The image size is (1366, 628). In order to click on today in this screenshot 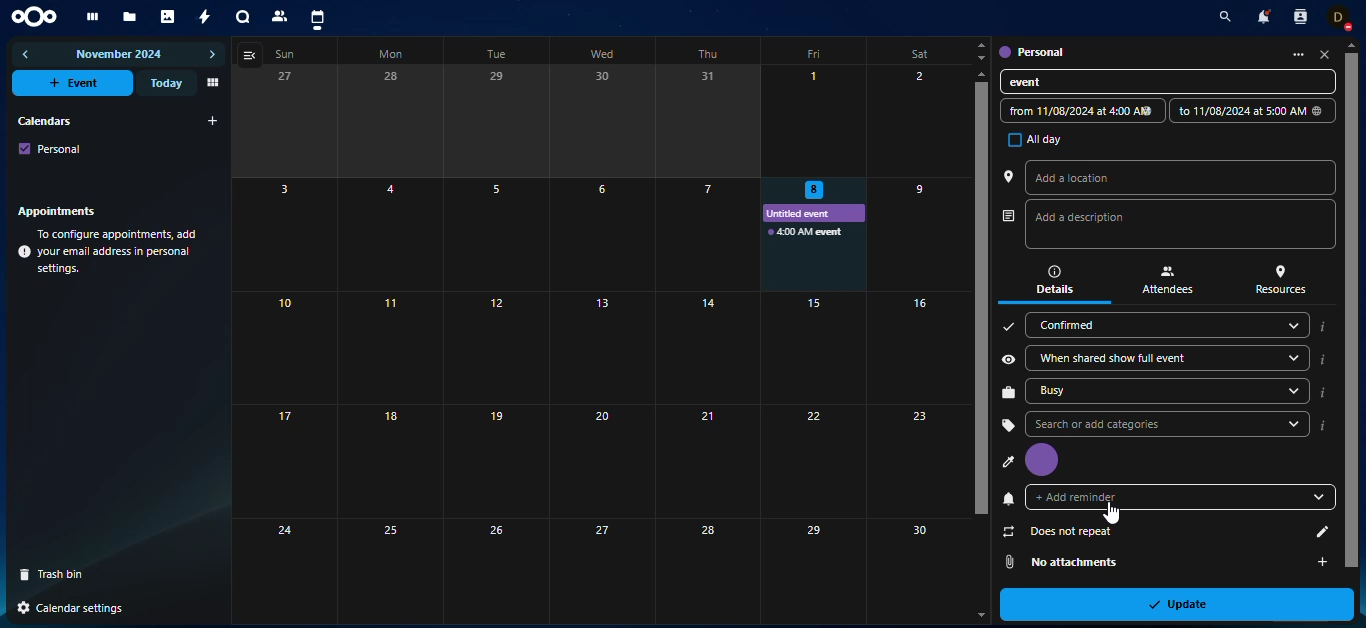, I will do `click(164, 83)`.